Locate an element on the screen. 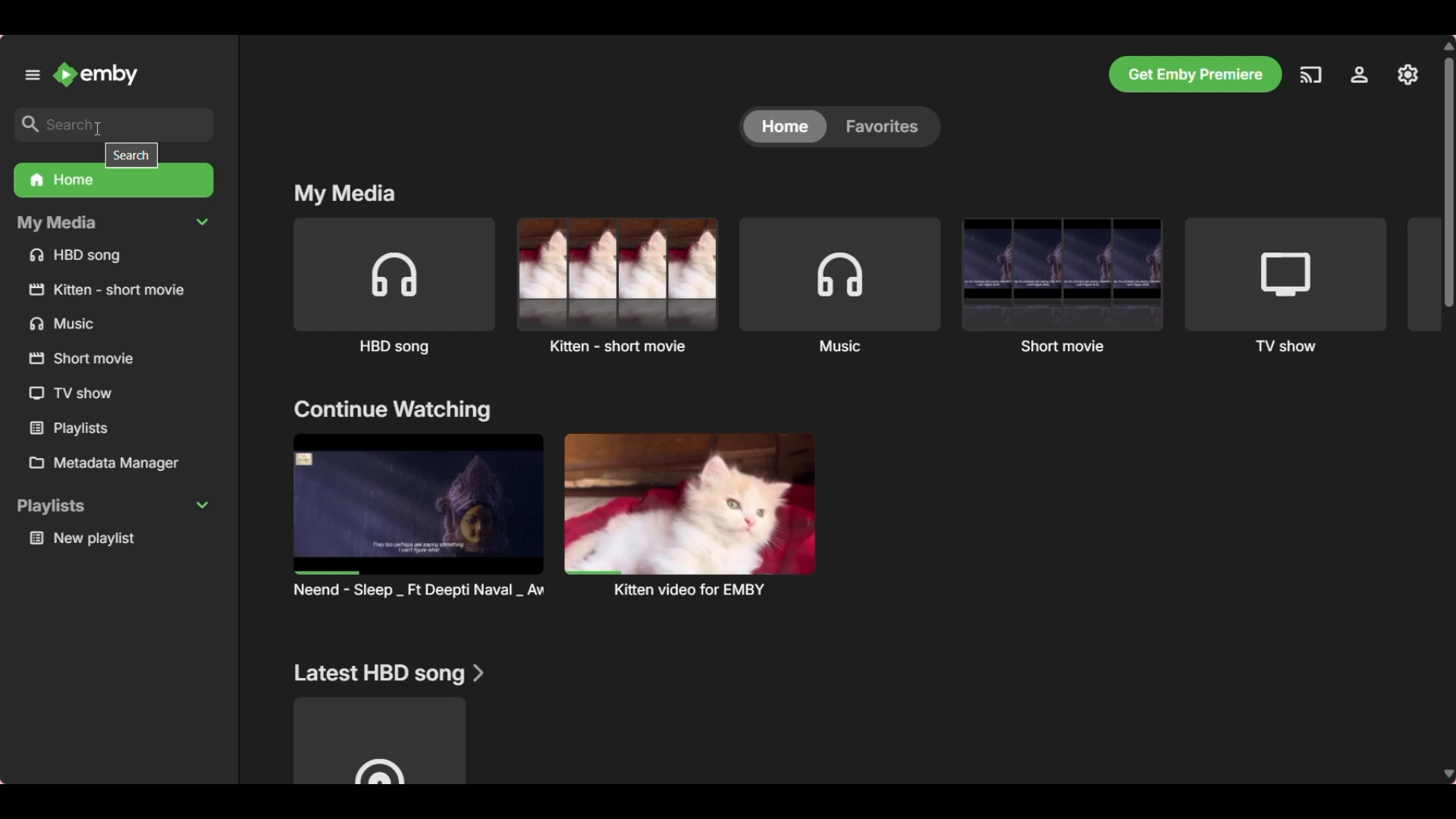 The image size is (1456, 819). Section title is located at coordinates (393, 408).